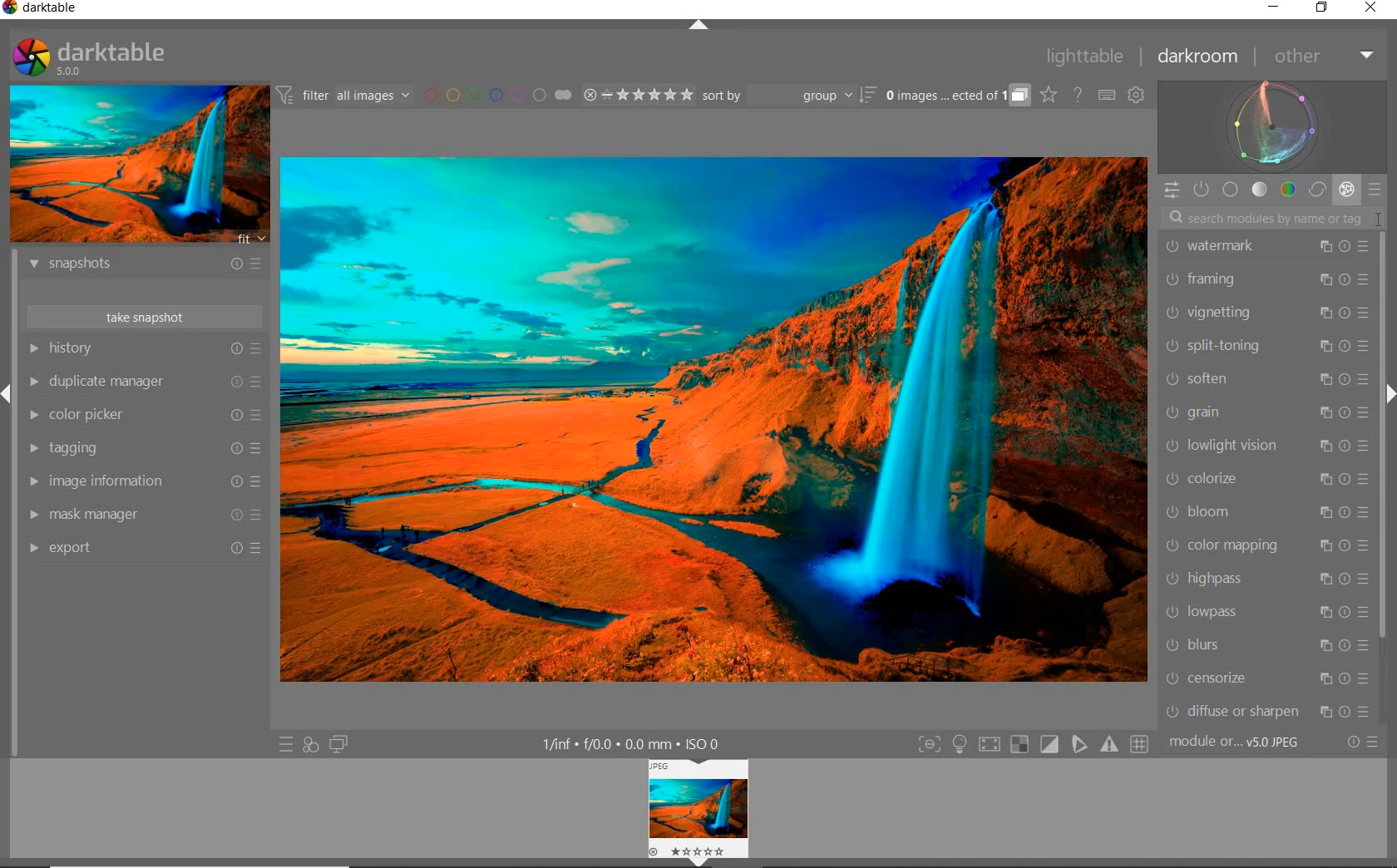 This screenshot has width=1397, height=868. Describe the element at coordinates (146, 550) in the screenshot. I see `export` at that location.